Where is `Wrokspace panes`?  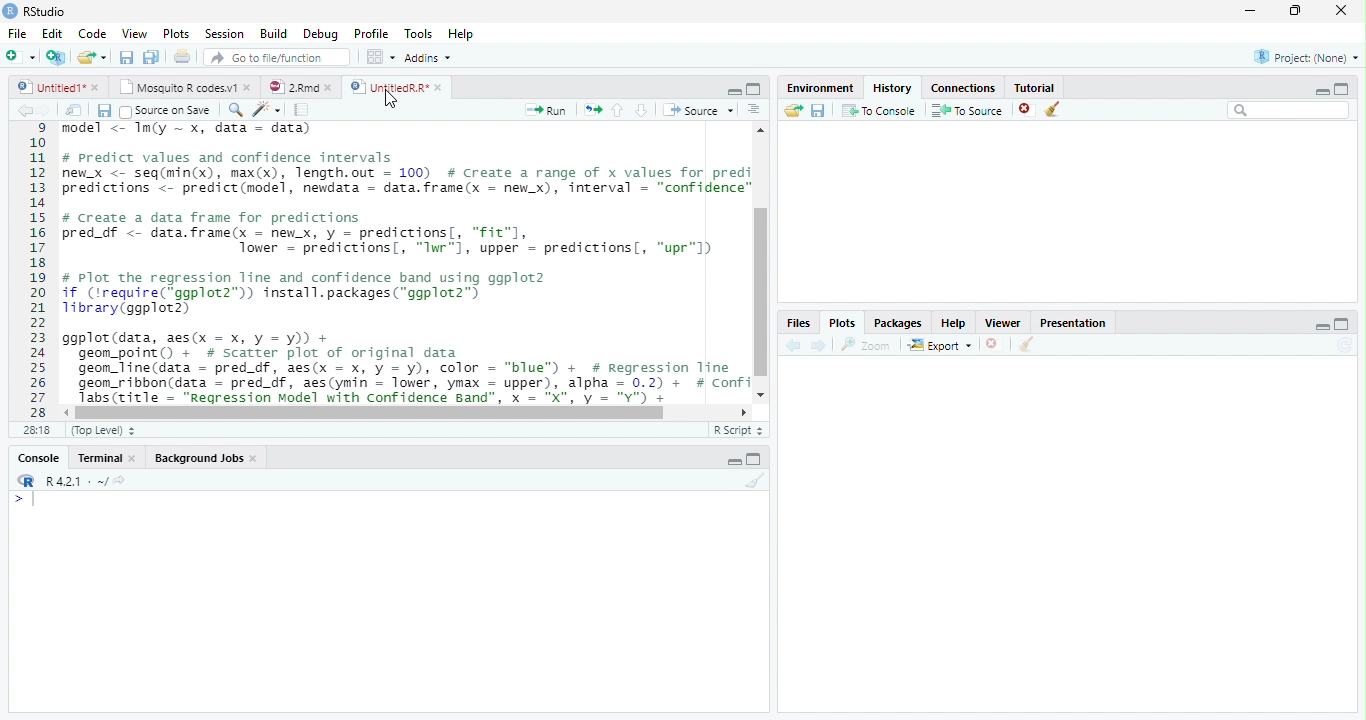
Wrokspace panes is located at coordinates (379, 57).